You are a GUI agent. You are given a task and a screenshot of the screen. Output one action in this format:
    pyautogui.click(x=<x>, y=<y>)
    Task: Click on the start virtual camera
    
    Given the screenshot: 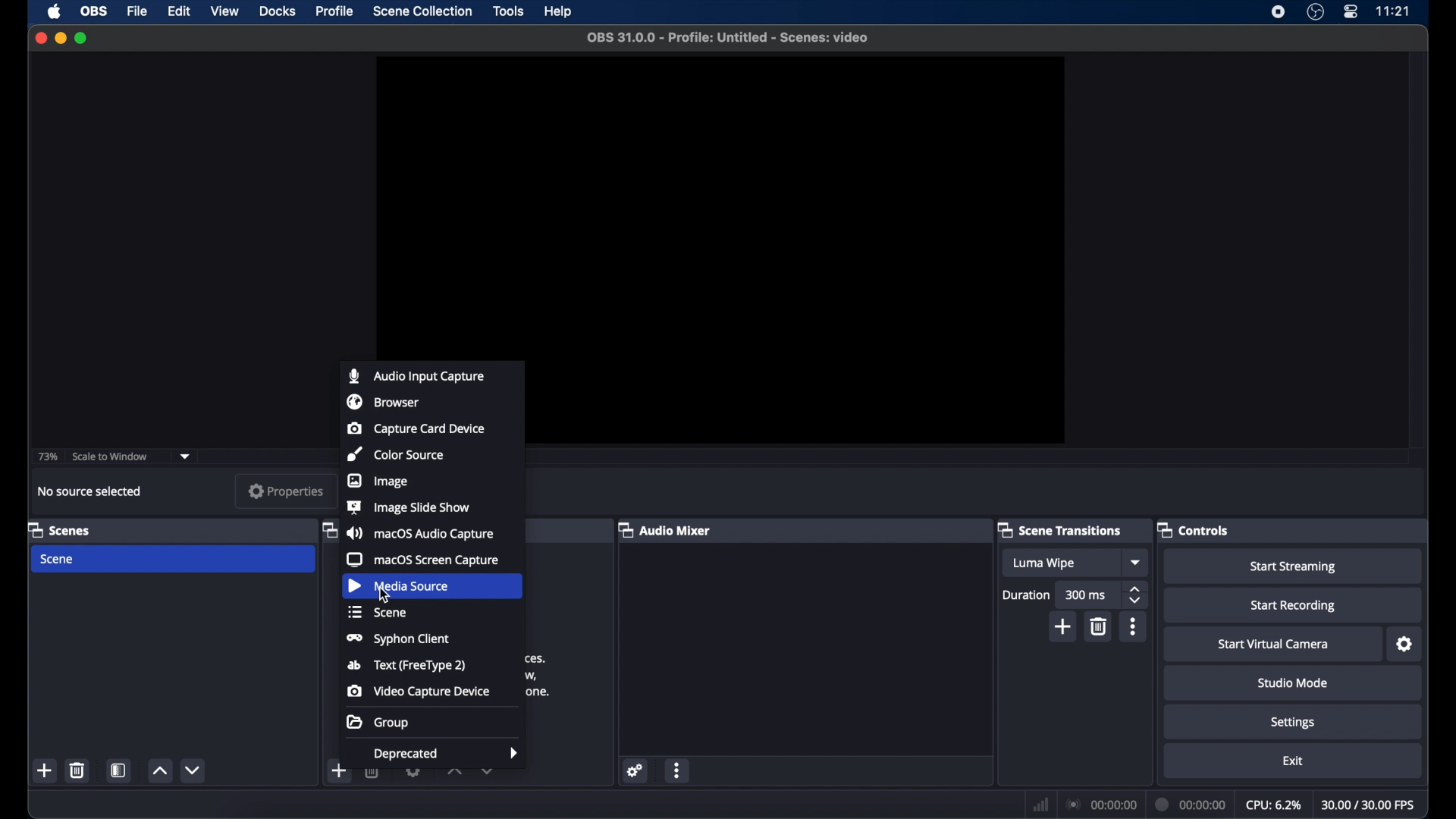 What is the action you would take?
    pyautogui.click(x=1275, y=645)
    